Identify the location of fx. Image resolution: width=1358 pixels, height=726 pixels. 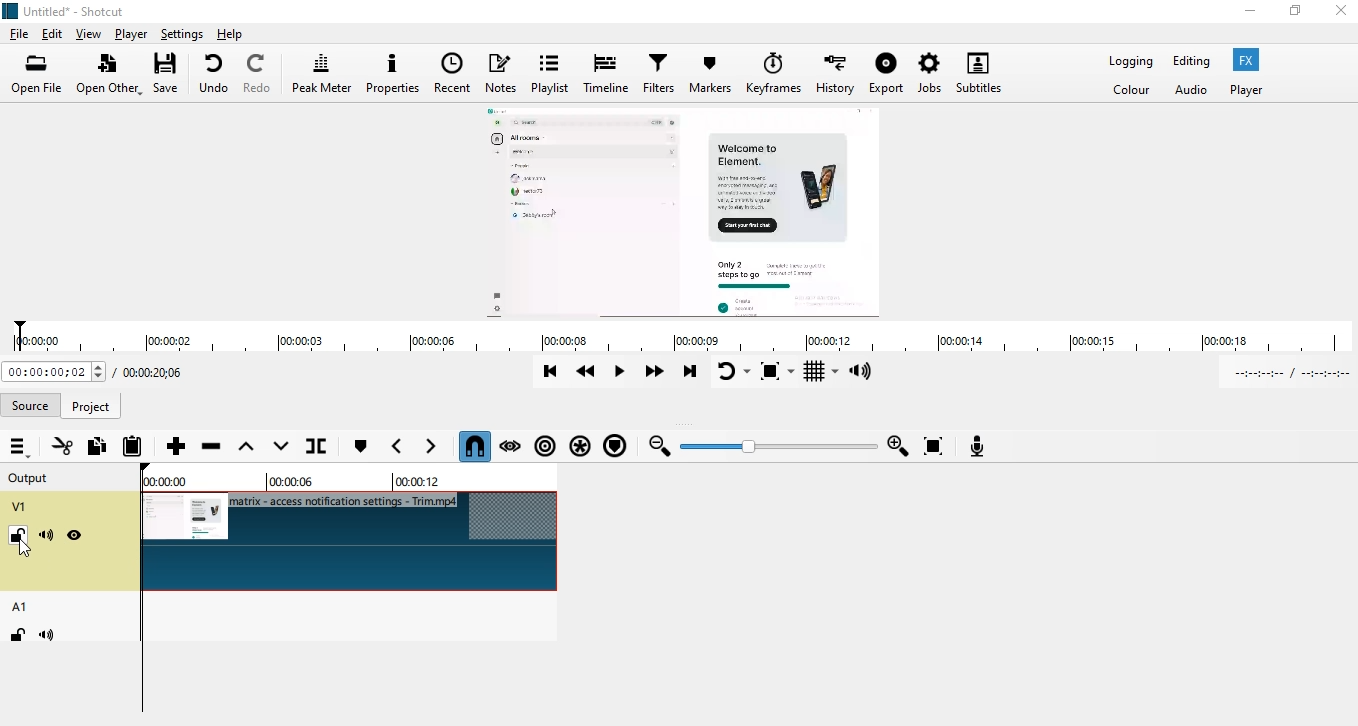
(1251, 61).